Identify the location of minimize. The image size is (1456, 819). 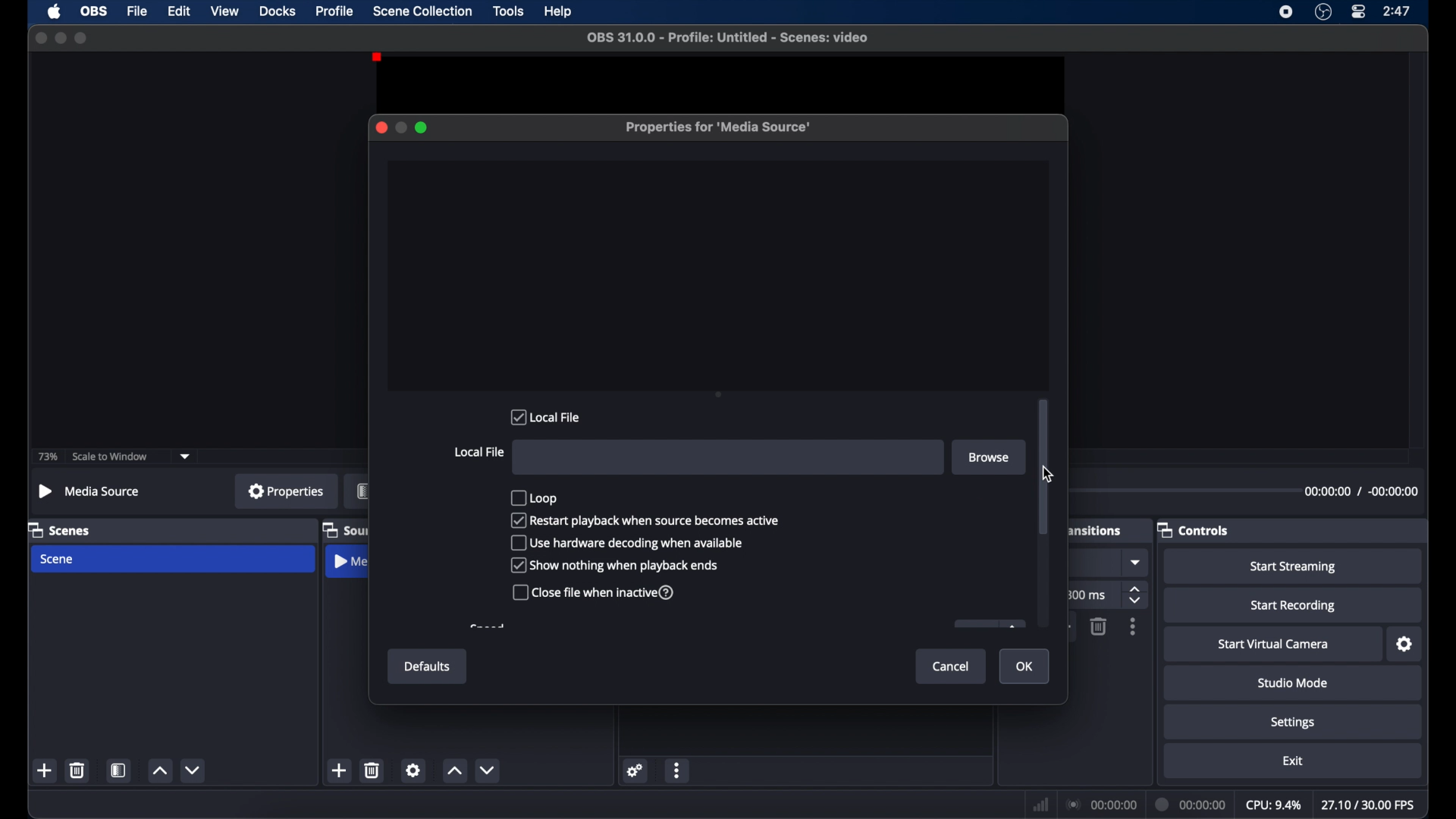
(59, 38).